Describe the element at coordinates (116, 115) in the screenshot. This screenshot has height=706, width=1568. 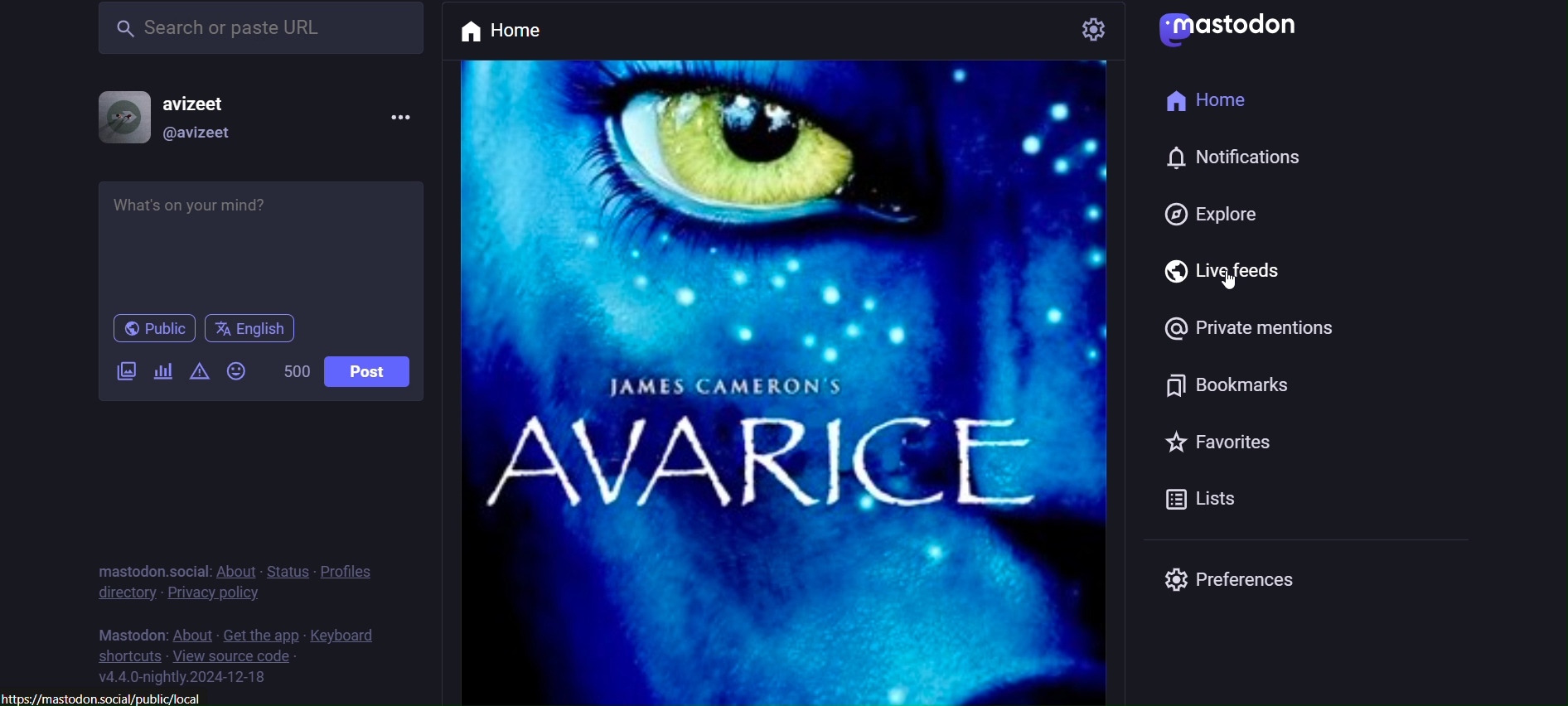
I see `display picture` at that location.